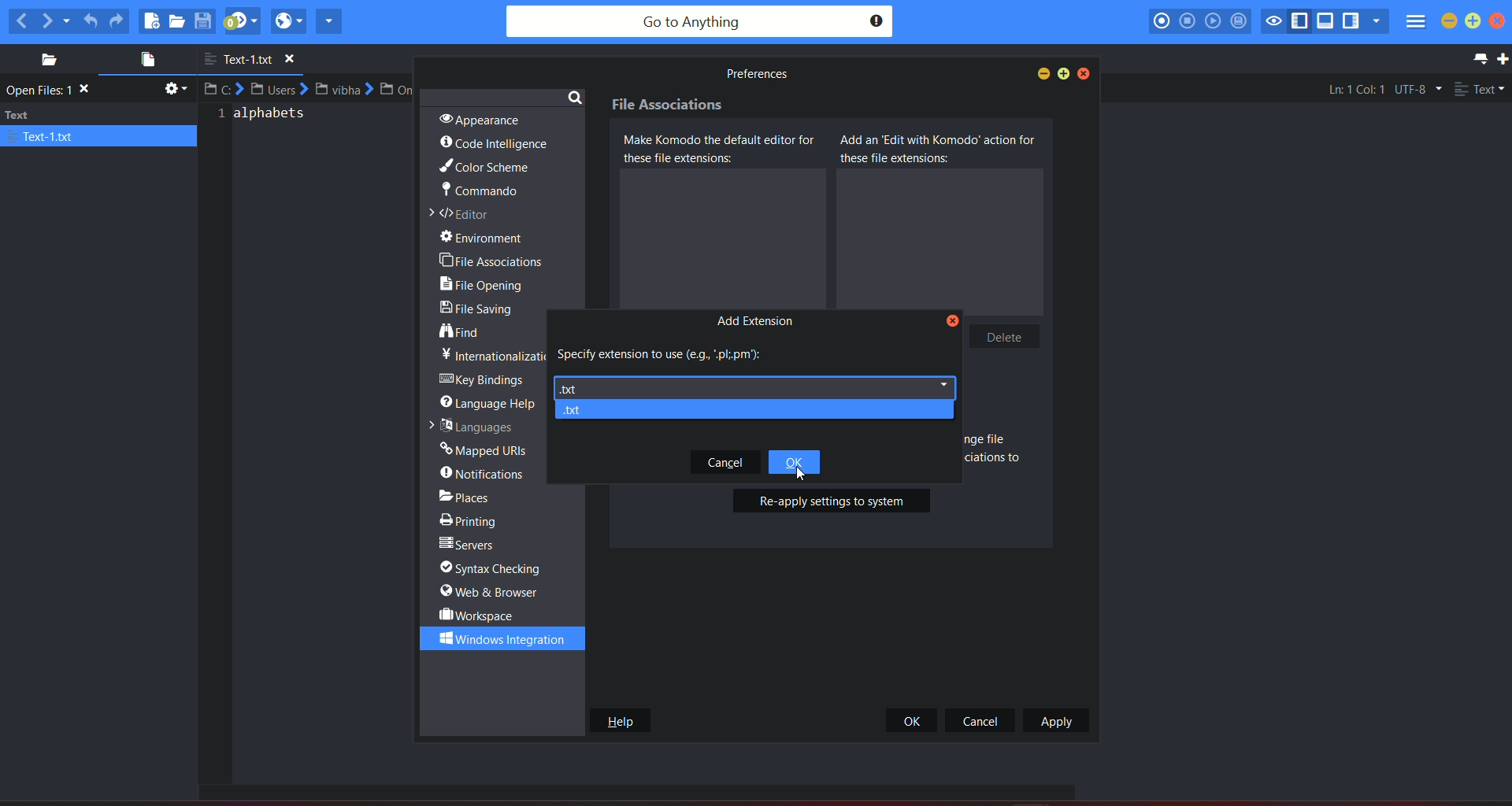 This screenshot has width=1512, height=806. Describe the element at coordinates (143, 61) in the screenshot. I see `open file` at that location.